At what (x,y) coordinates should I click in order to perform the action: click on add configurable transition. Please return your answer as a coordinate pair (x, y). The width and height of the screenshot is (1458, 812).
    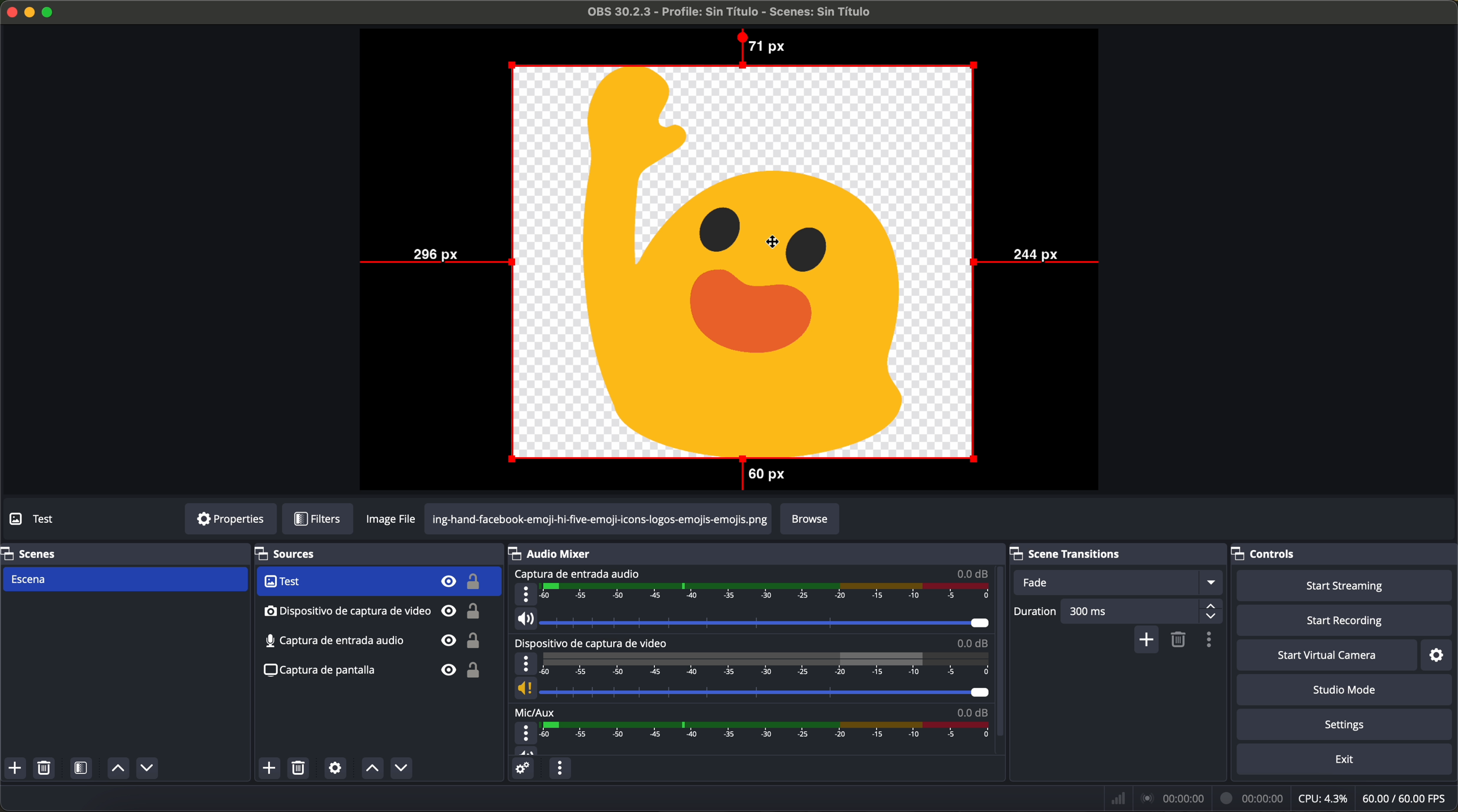
    Looking at the image, I should click on (1147, 641).